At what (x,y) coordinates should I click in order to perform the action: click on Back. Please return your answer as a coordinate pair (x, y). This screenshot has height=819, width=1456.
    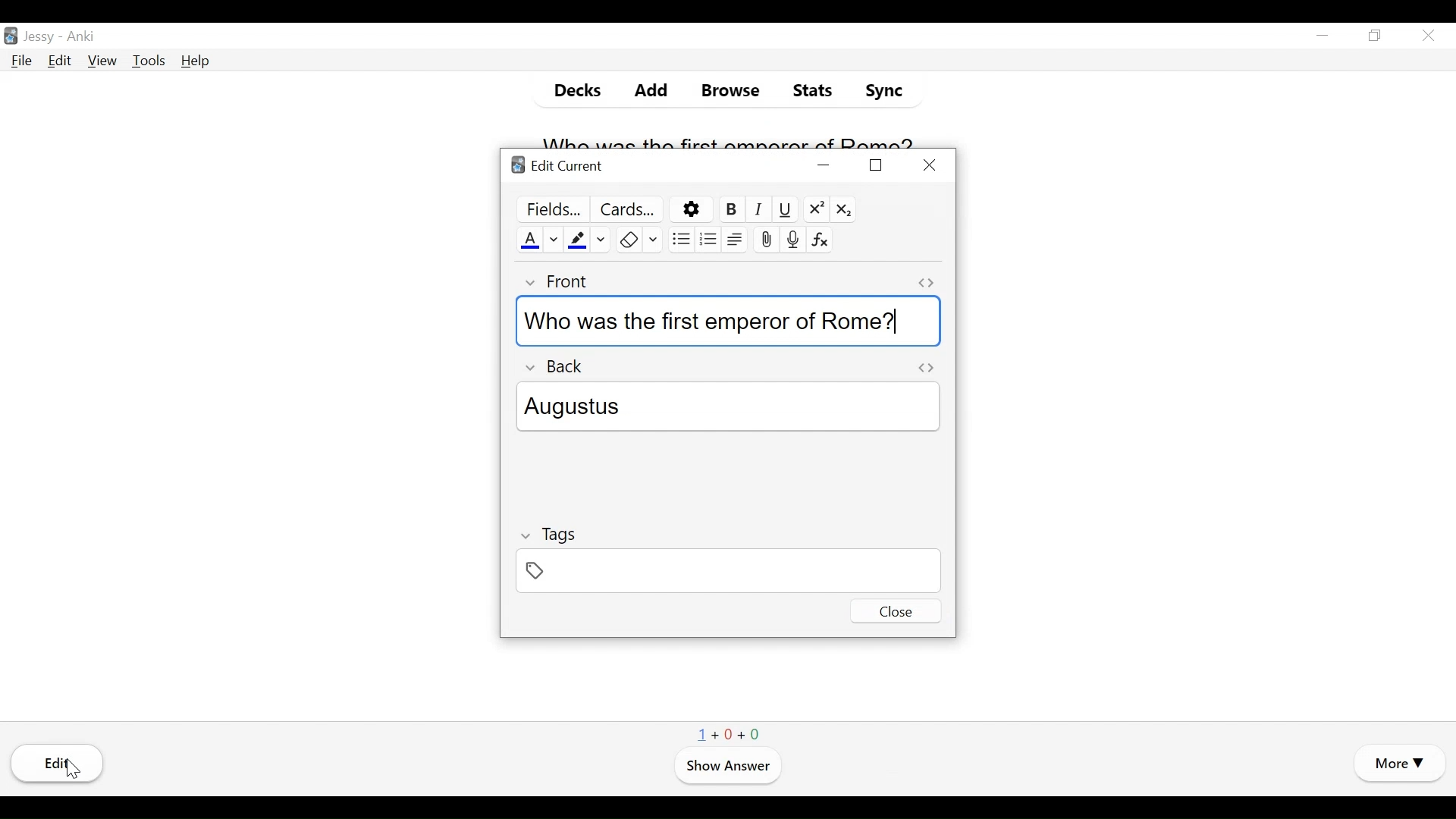
    Looking at the image, I should click on (554, 366).